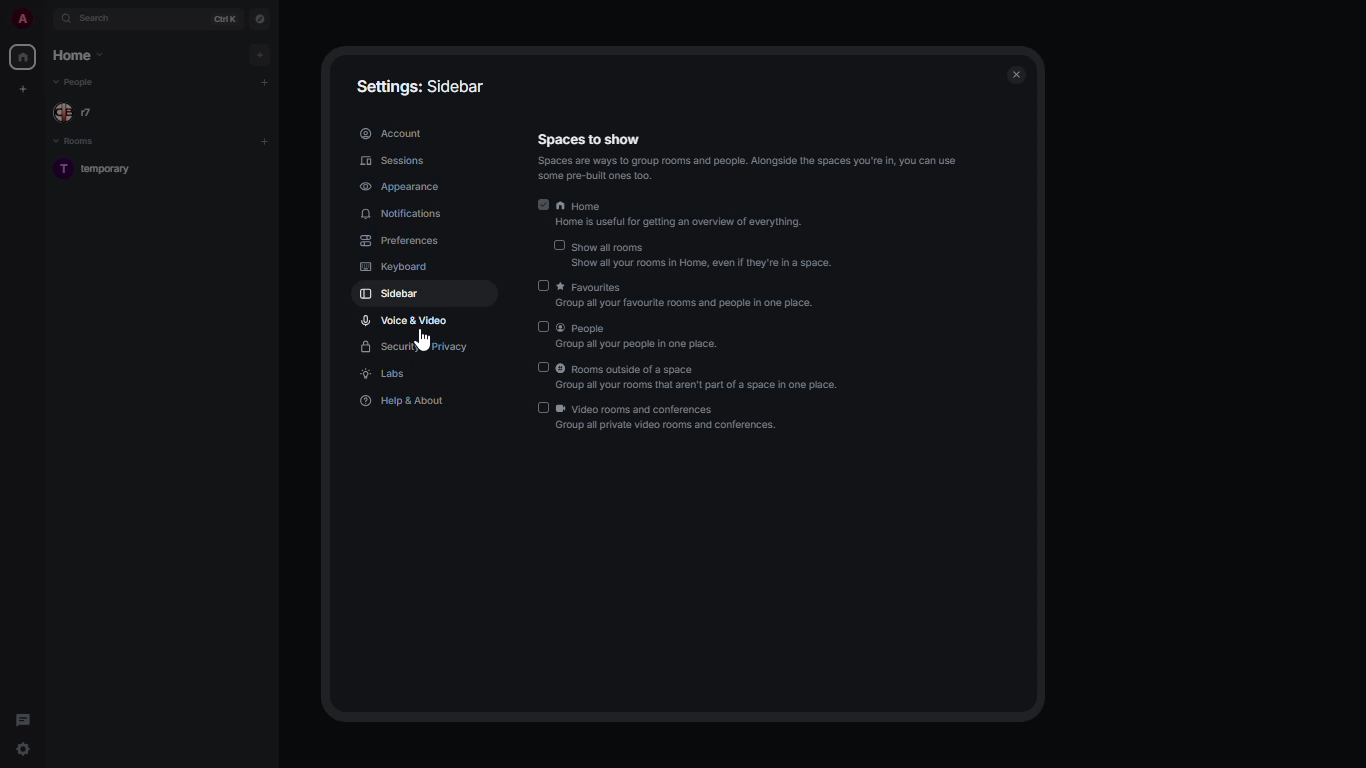 Image resolution: width=1366 pixels, height=768 pixels. I want to click on security & privacy, so click(416, 348).